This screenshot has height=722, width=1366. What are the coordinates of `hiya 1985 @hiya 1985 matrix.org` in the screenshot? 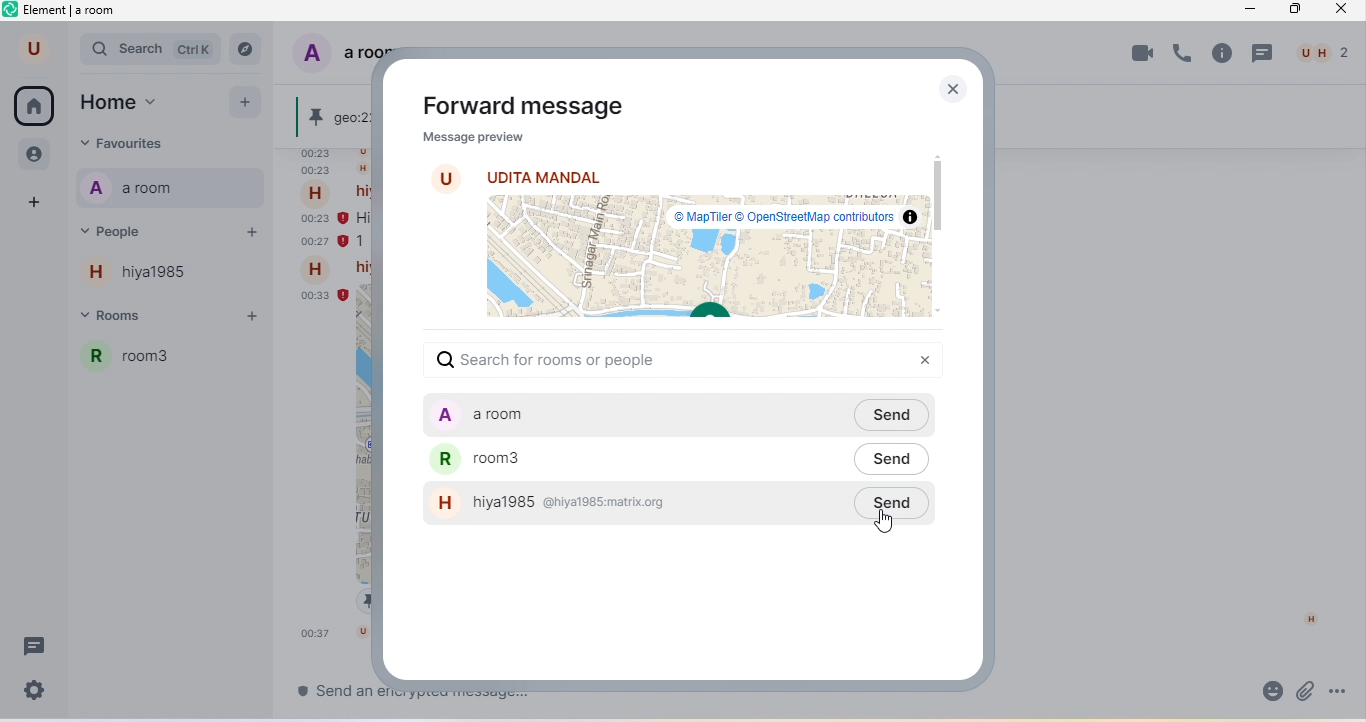 It's located at (634, 503).